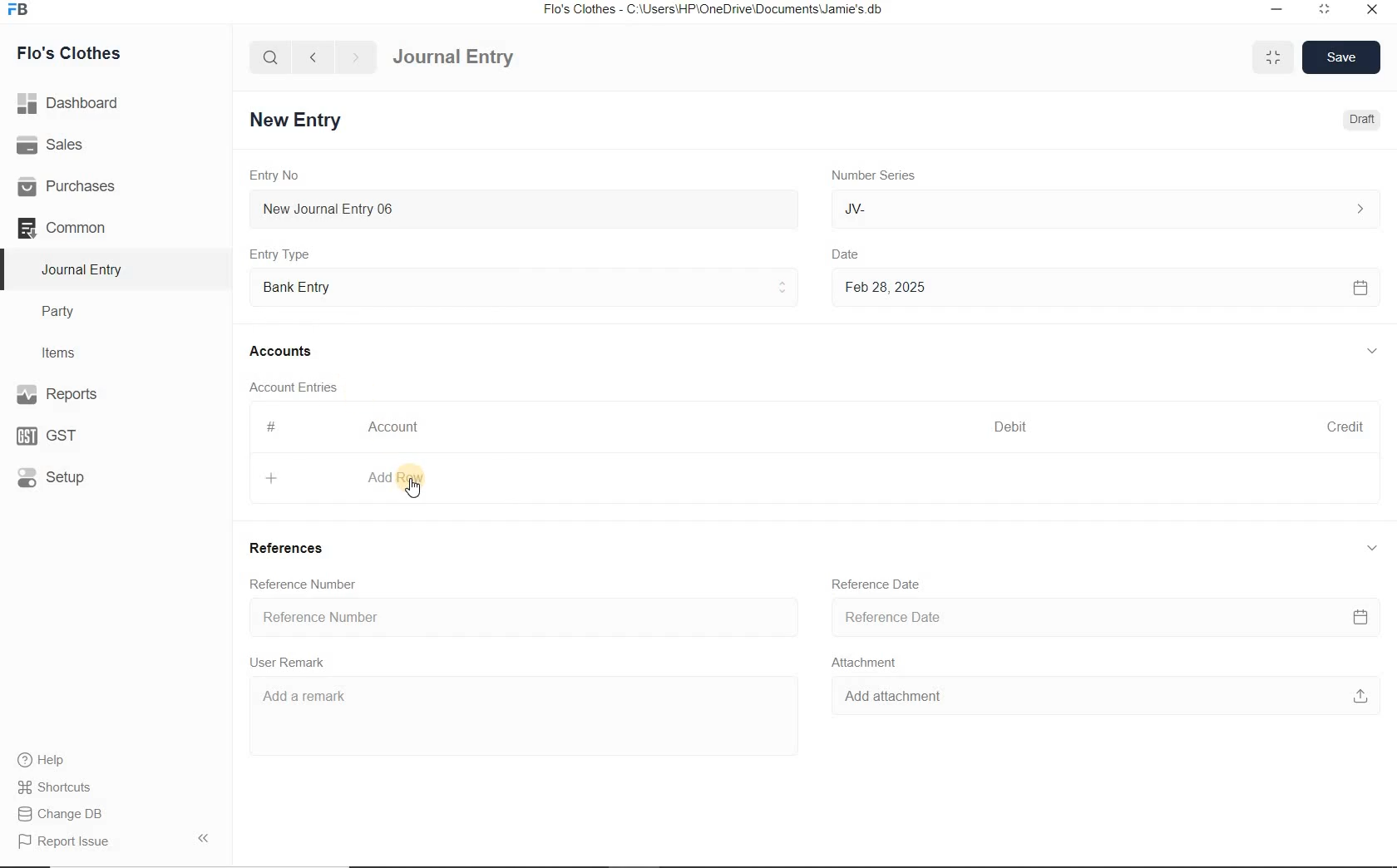 This screenshot has height=868, width=1397. Describe the element at coordinates (1105, 287) in the screenshot. I see `Feb 28, 2025` at that location.